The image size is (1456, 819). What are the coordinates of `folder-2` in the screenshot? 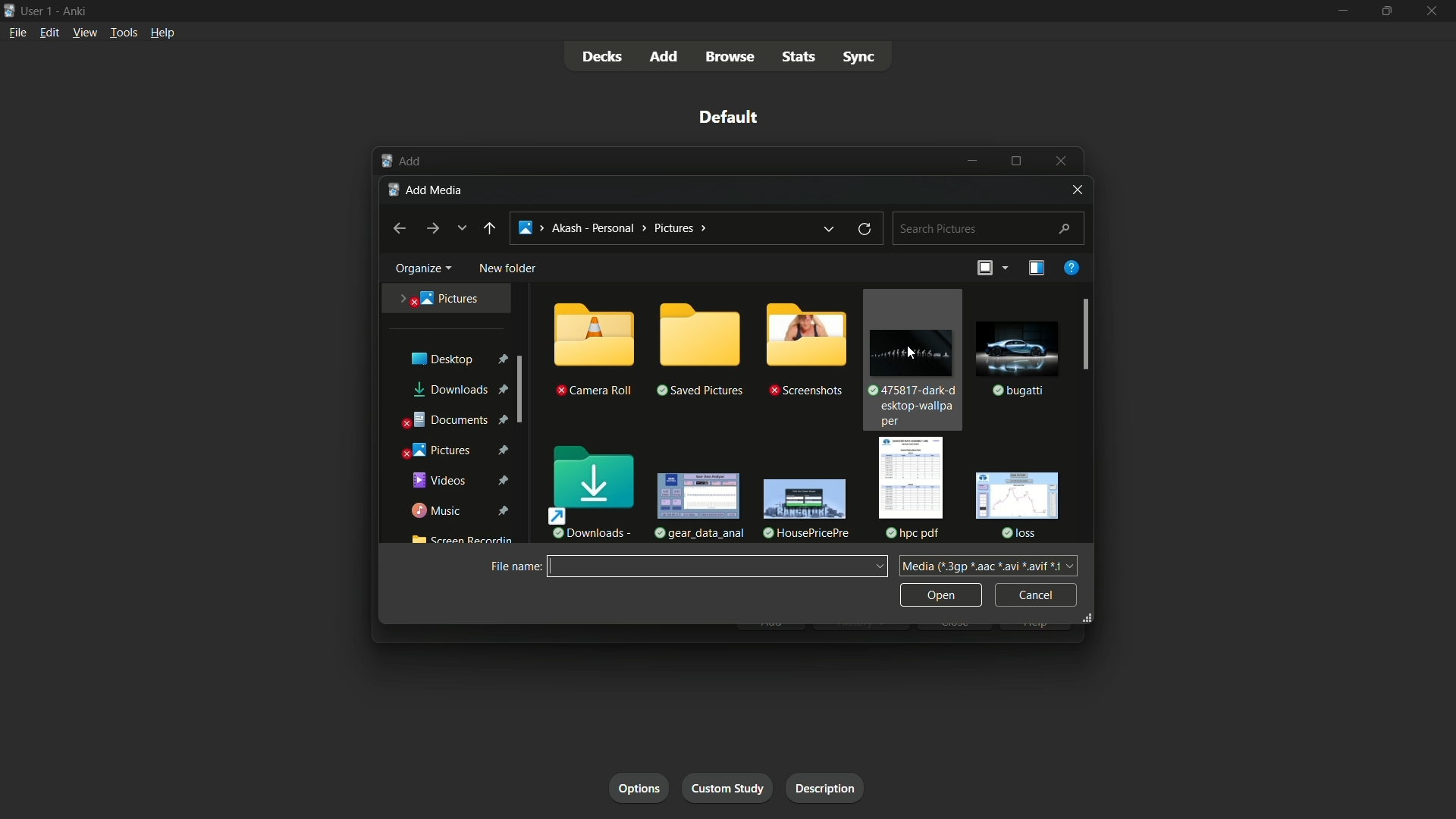 It's located at (698, 351).